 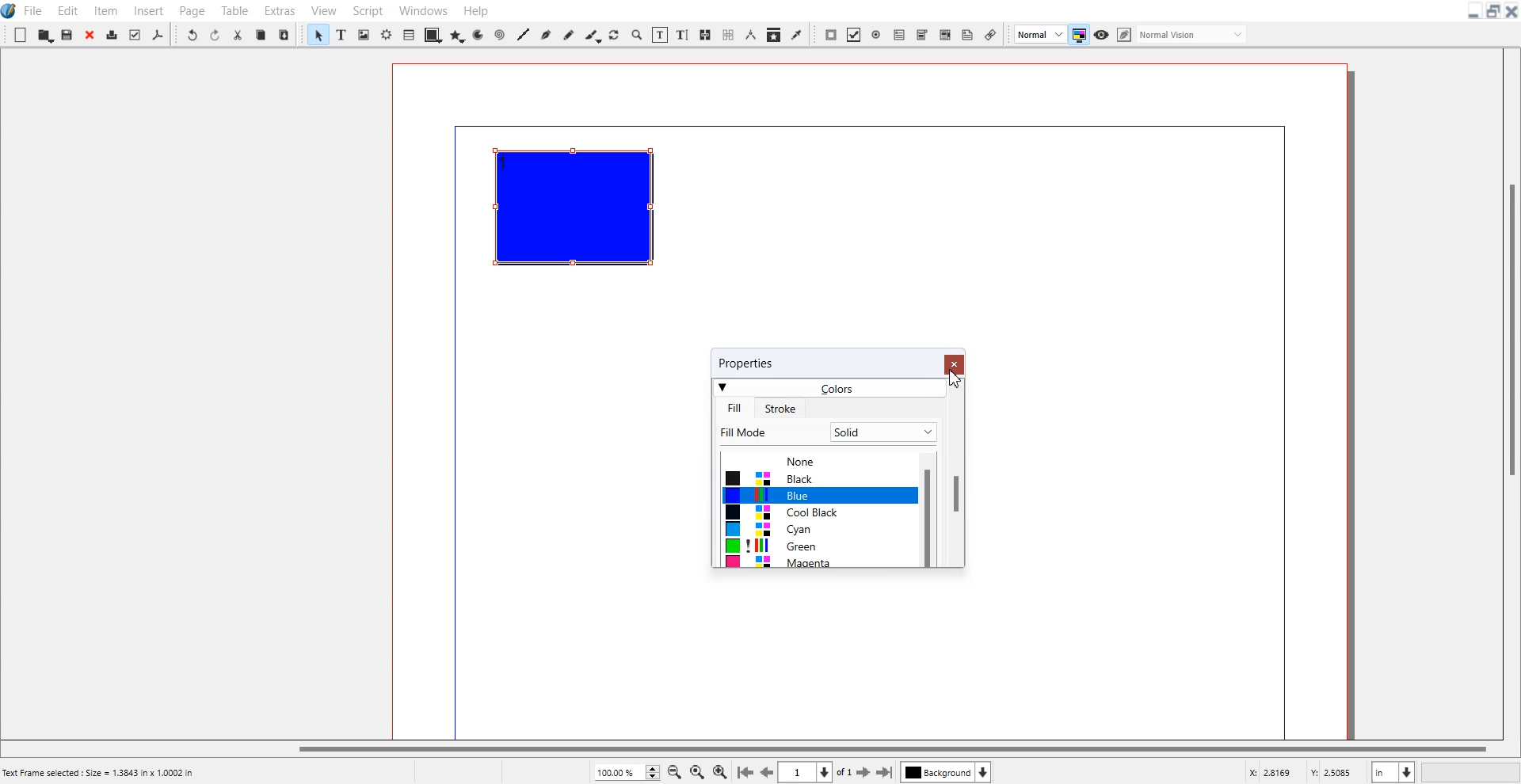 I want to click on Close, so click(x=90, y=34).